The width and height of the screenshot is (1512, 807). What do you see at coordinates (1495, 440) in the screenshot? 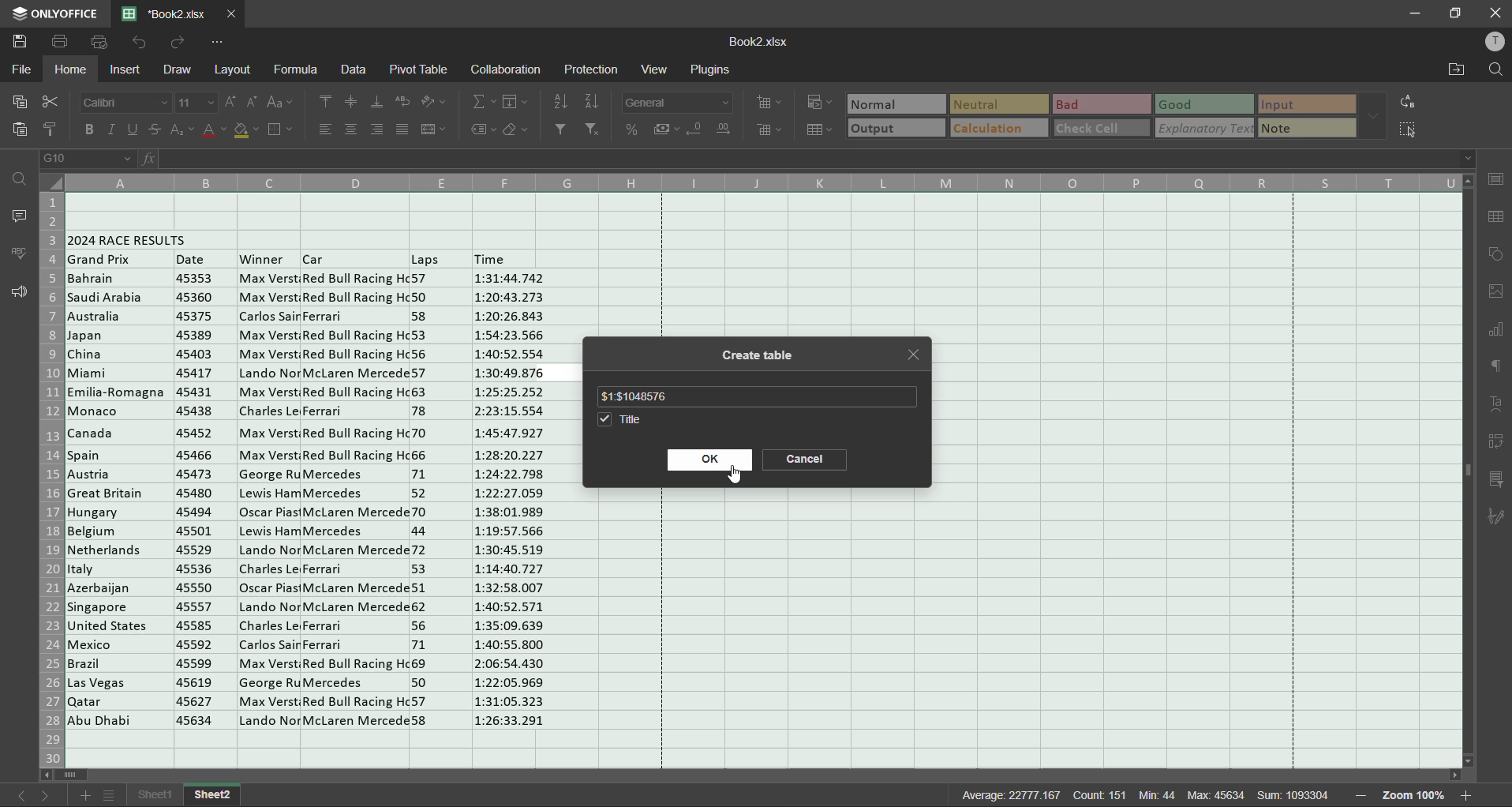
I see `pivot table` at bounding box center [1495, 440].